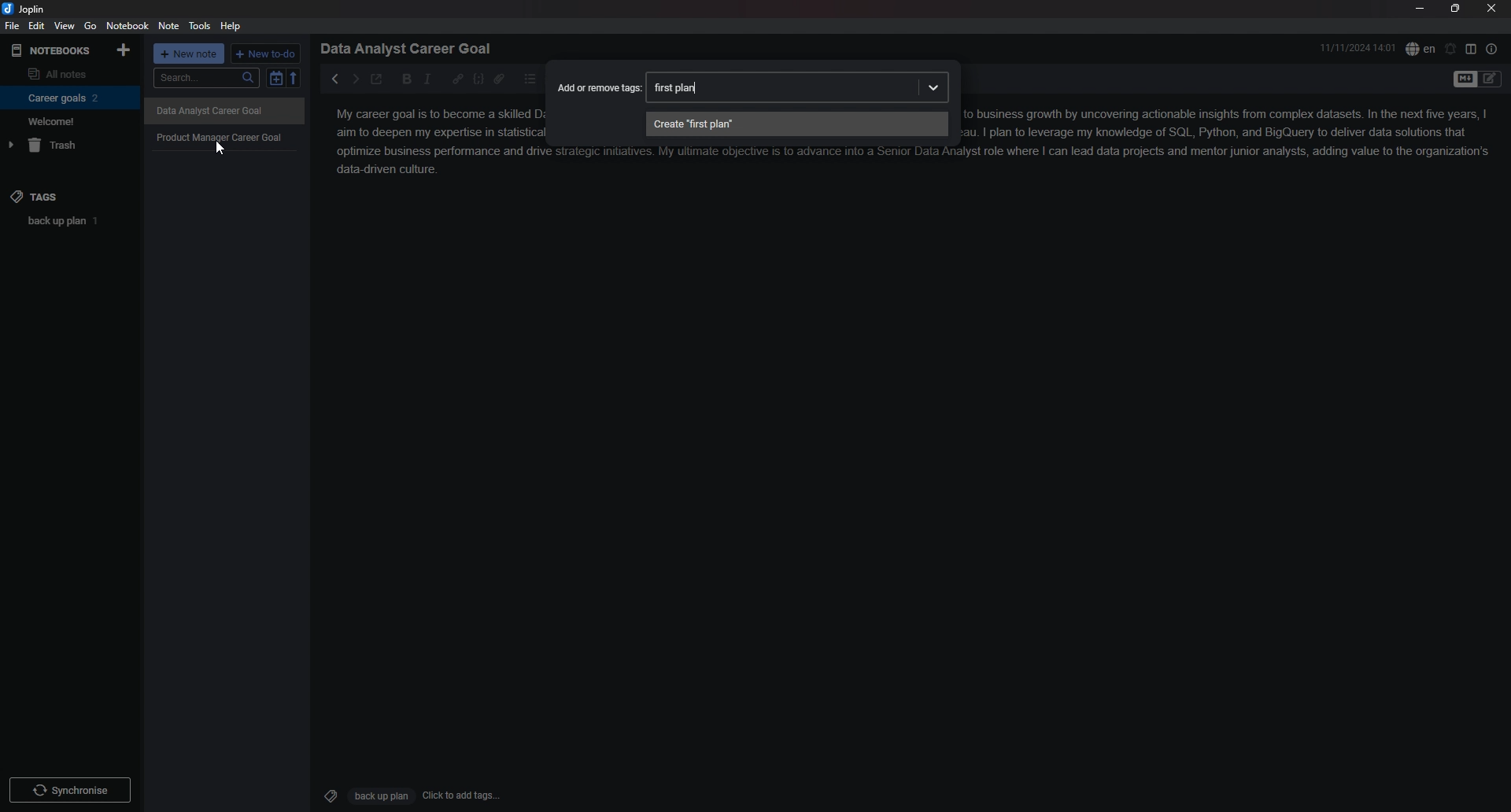 Image resolution: width=1511 pixels, height=812 pixels. Describe the element at coordinates (327, 794) in the screenshot. I see `Tags` at that location.